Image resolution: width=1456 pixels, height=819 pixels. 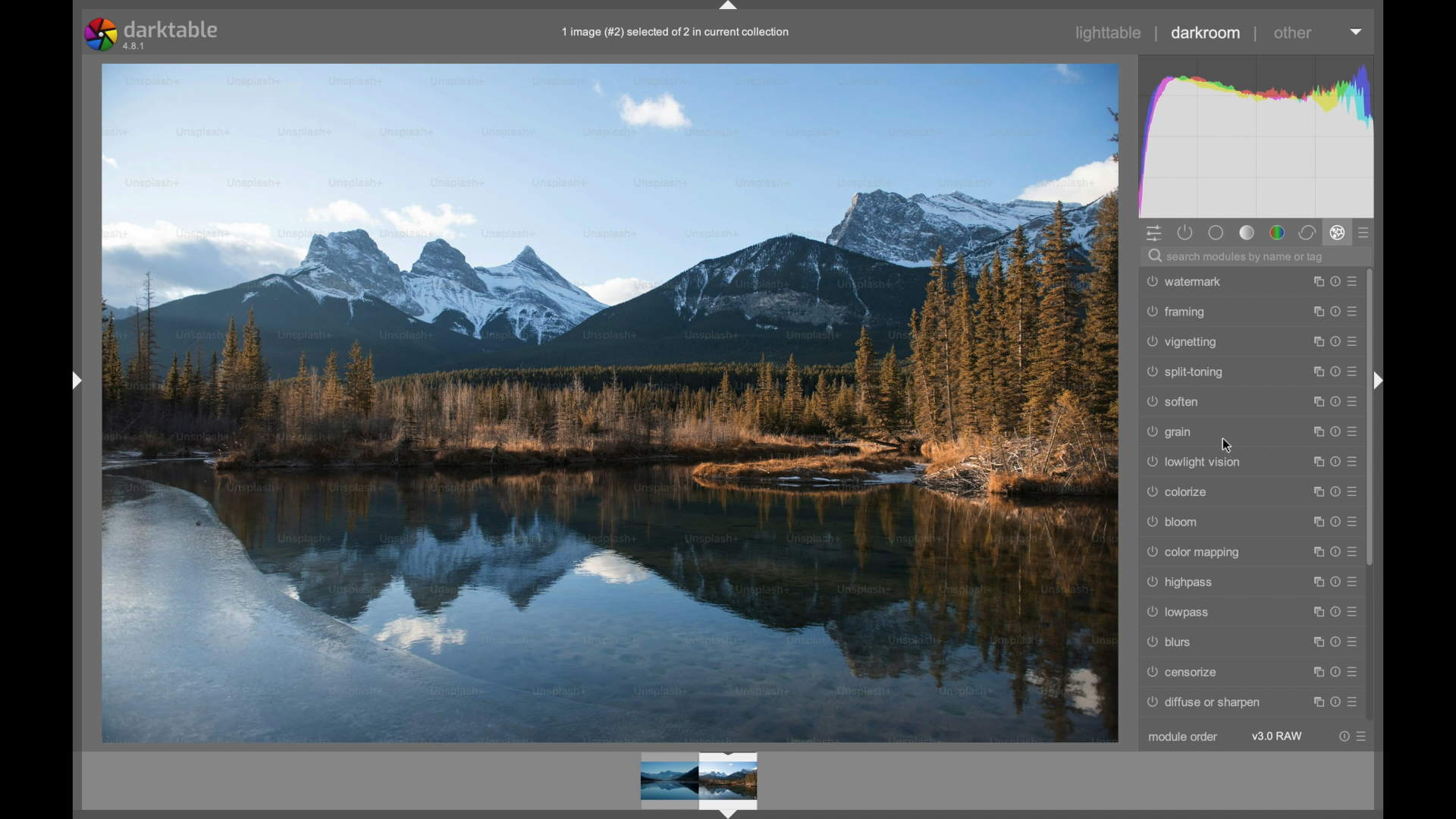 I want to click on blurs, so click(x=1171, y=642).